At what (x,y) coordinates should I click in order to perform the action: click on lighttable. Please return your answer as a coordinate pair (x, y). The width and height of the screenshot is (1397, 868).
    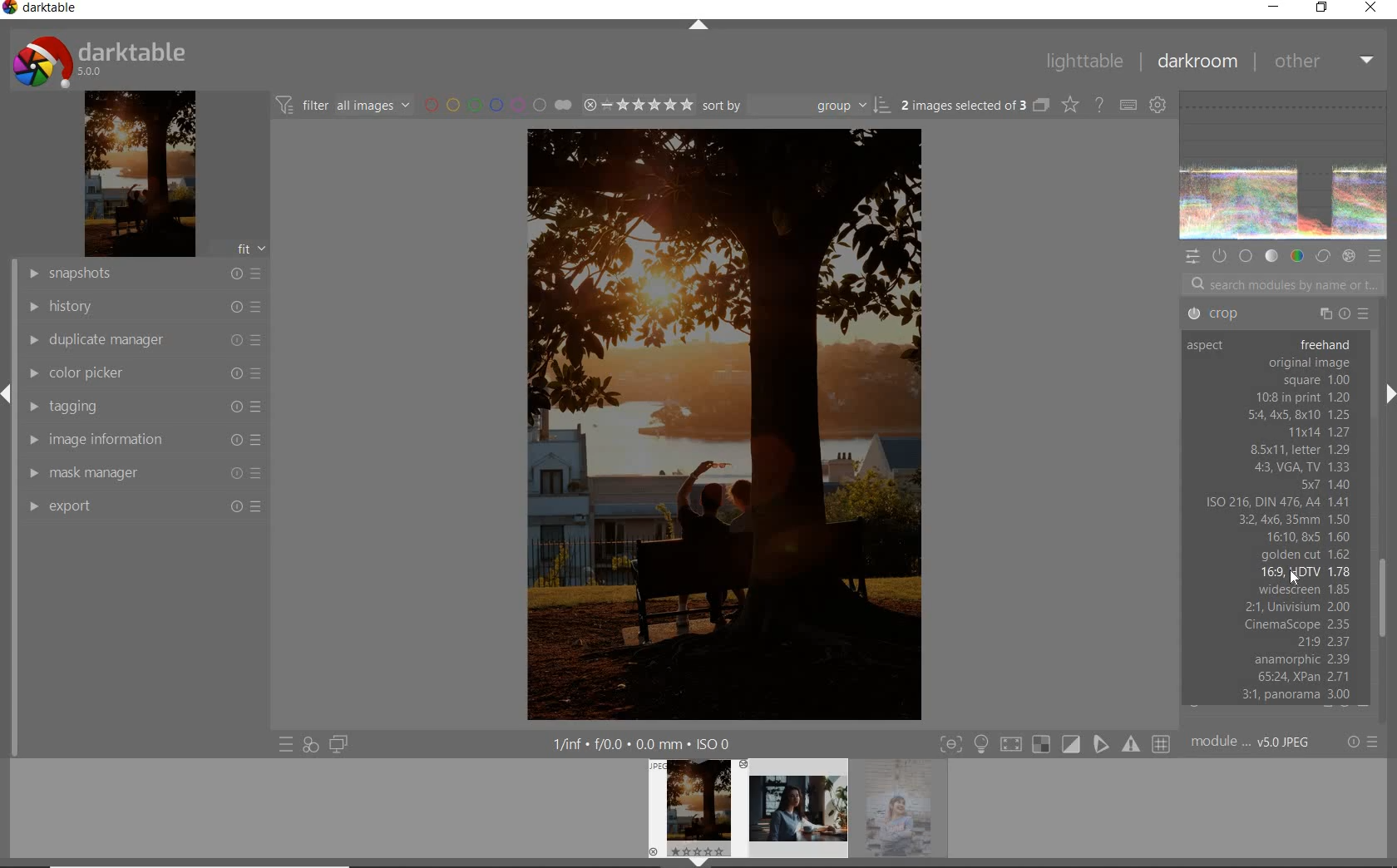
    Looking at the image, I should click on (1085, 62).